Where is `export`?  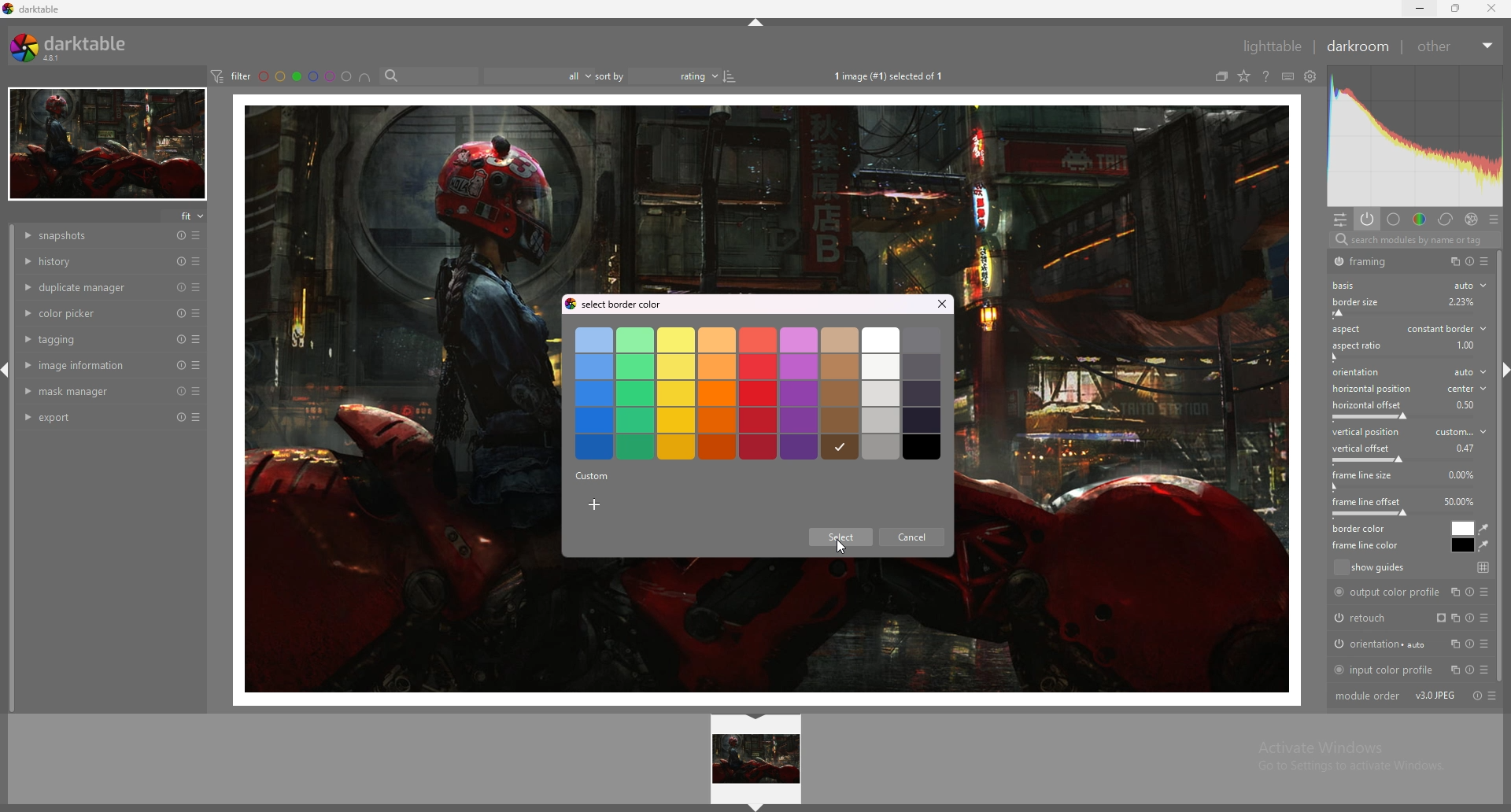 export is located at coordinates (93, 418).